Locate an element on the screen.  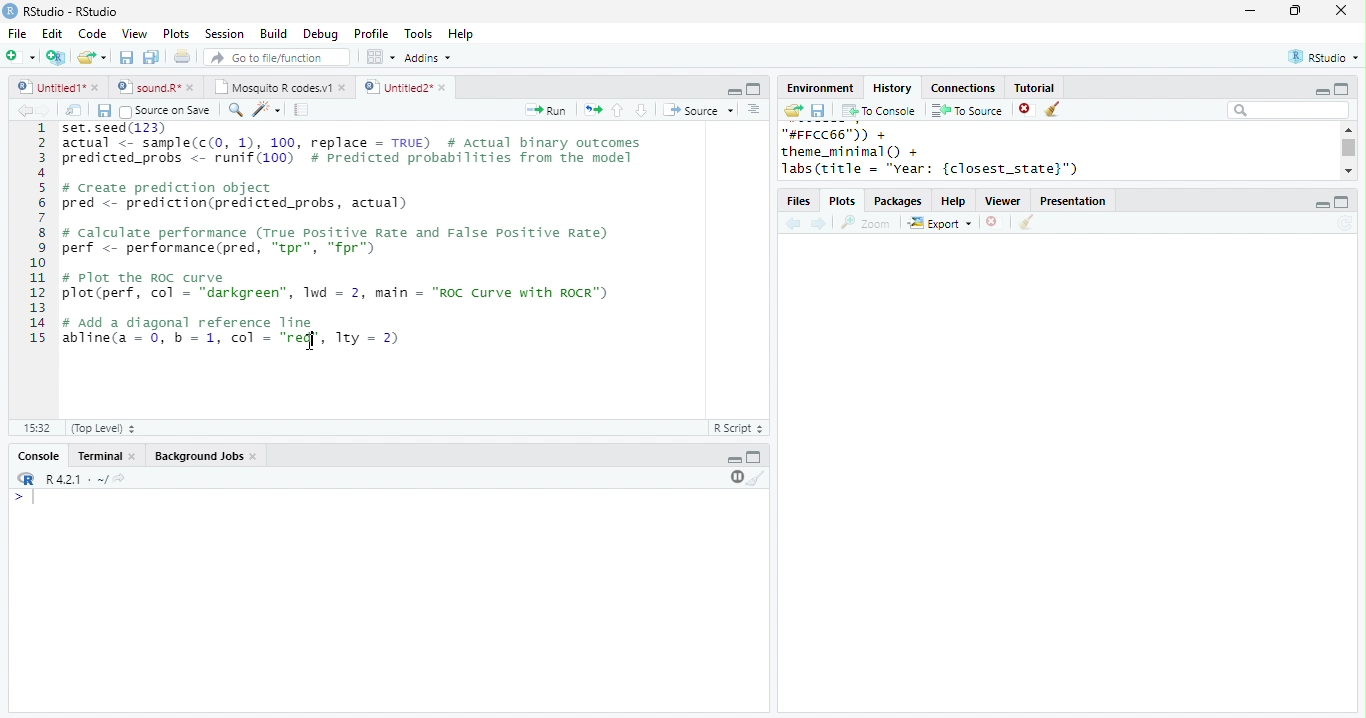
close is located at coordinates (344, 87).